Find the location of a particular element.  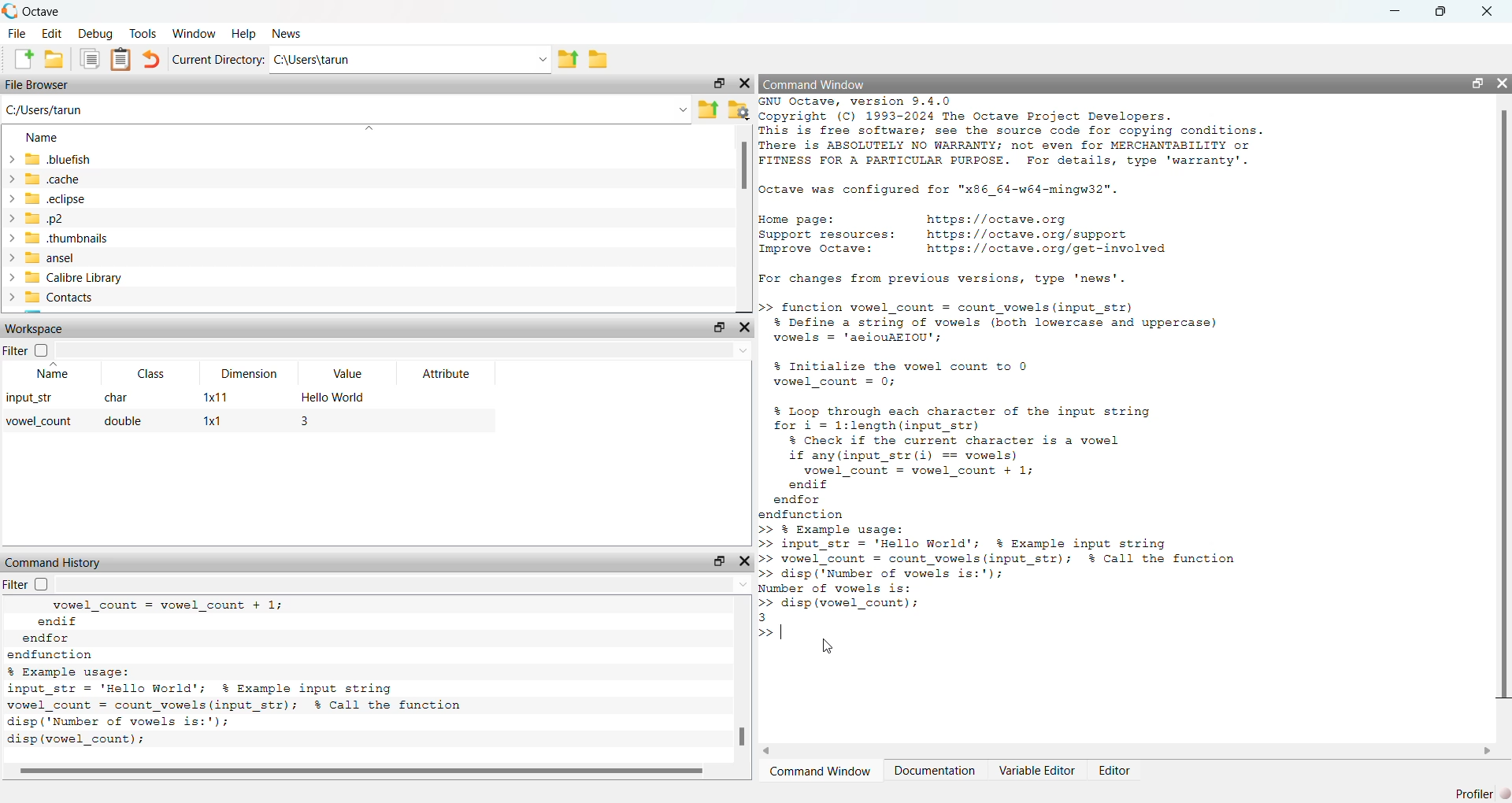

File is located at coordinates (18, 32).